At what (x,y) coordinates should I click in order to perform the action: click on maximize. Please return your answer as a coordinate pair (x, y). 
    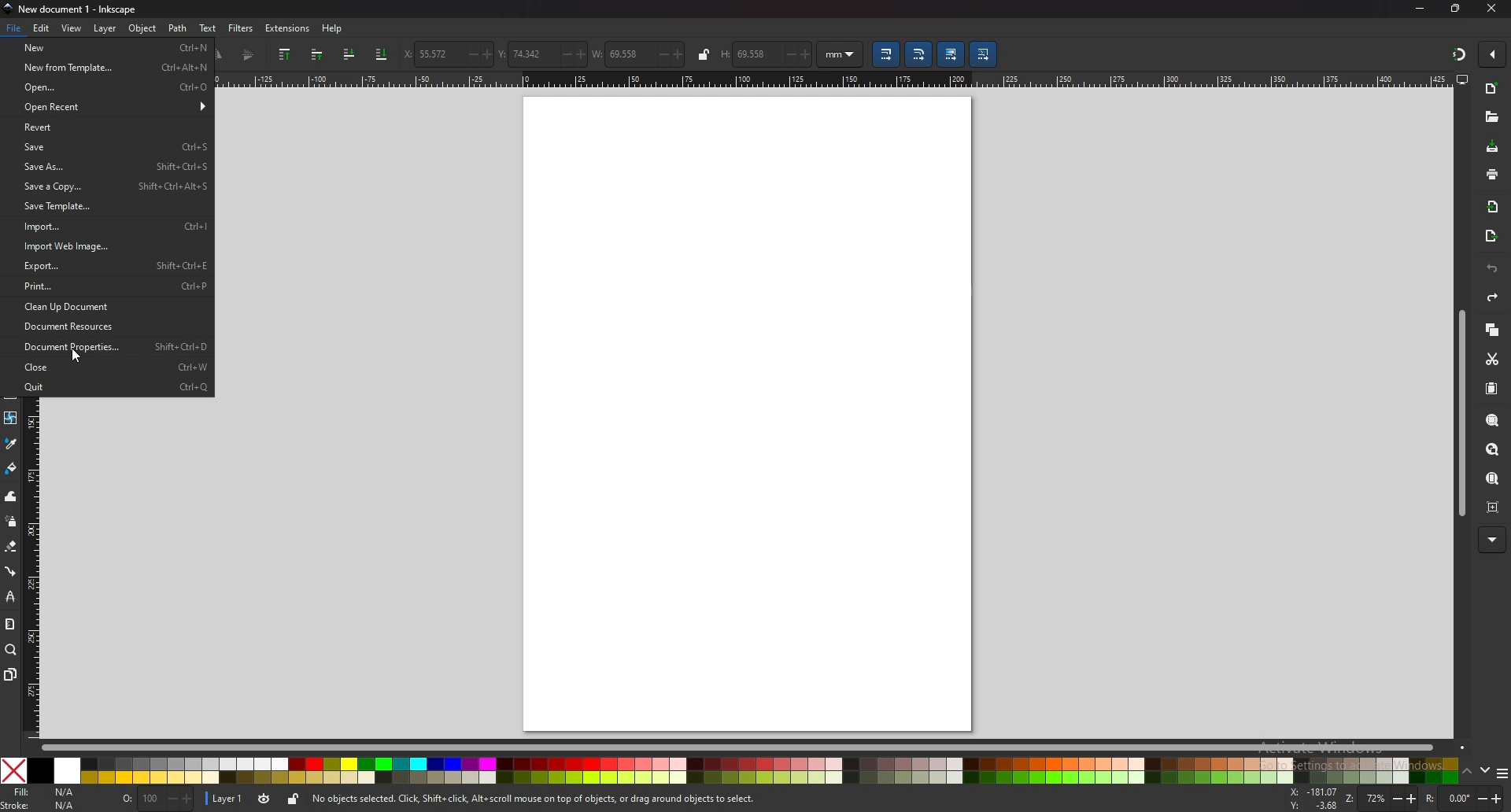
    Looking at the image, I should click on (1456, 9).